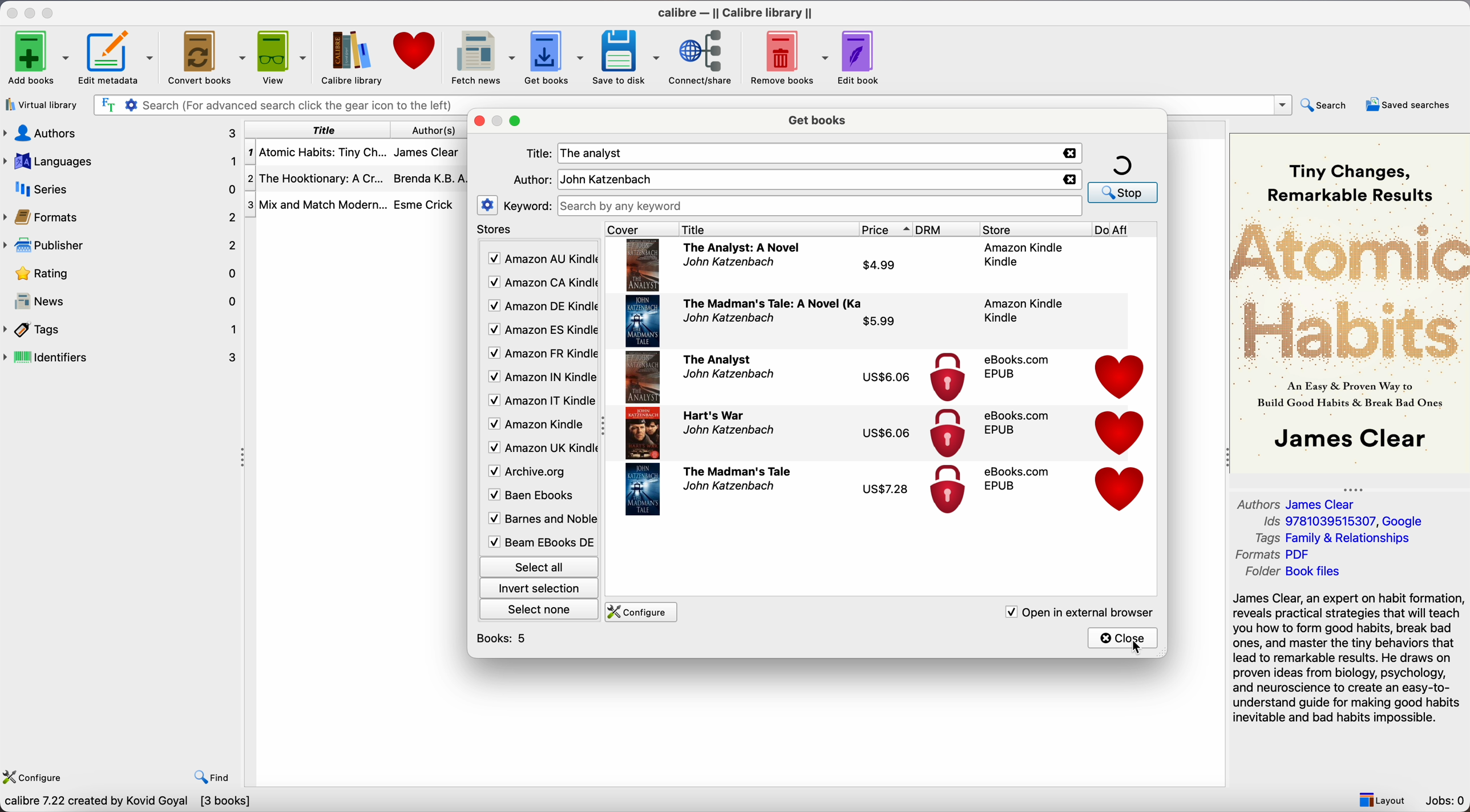  Describe the element at coordinates (1070, 153) in the screenshot. I see `clear` at that location.